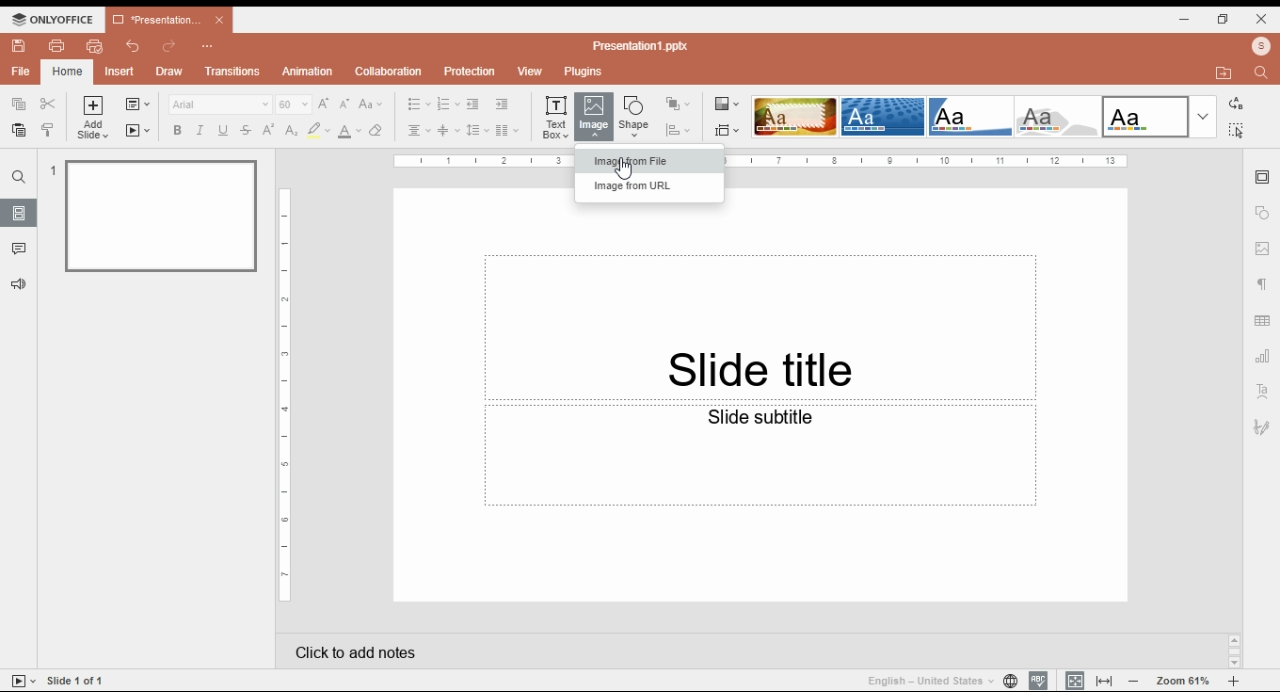 Image resolution: width=1280 pixels, height=692 pixels. What do you see at coordinates (642, 46) in the screenshot?
I see `‘Presentation pptx` at bounding box center [642, 46].